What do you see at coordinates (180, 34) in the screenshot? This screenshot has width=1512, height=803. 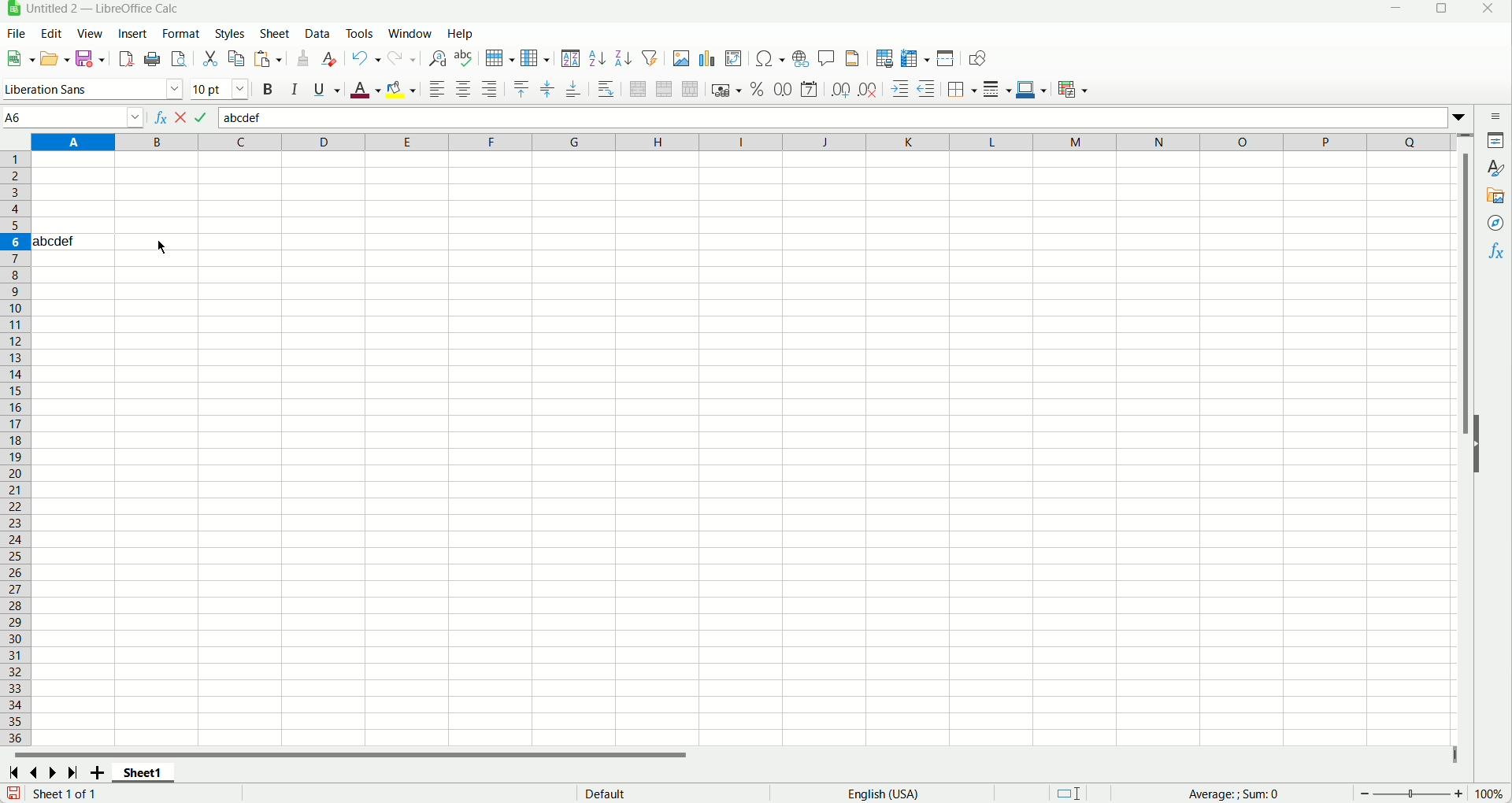 I see `format` at bounding box center [180, 34].